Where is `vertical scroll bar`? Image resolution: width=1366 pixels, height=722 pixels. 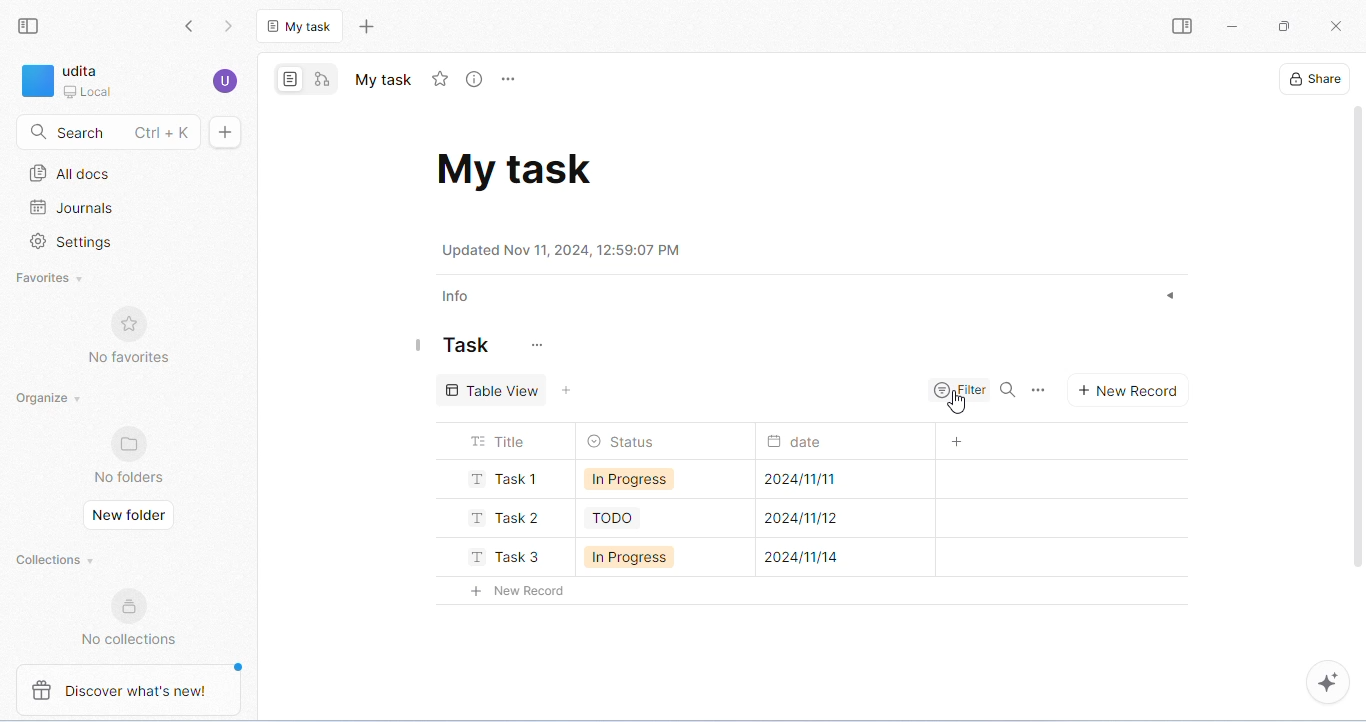 vertical scroll bar is located at coordinates (1357, 348).